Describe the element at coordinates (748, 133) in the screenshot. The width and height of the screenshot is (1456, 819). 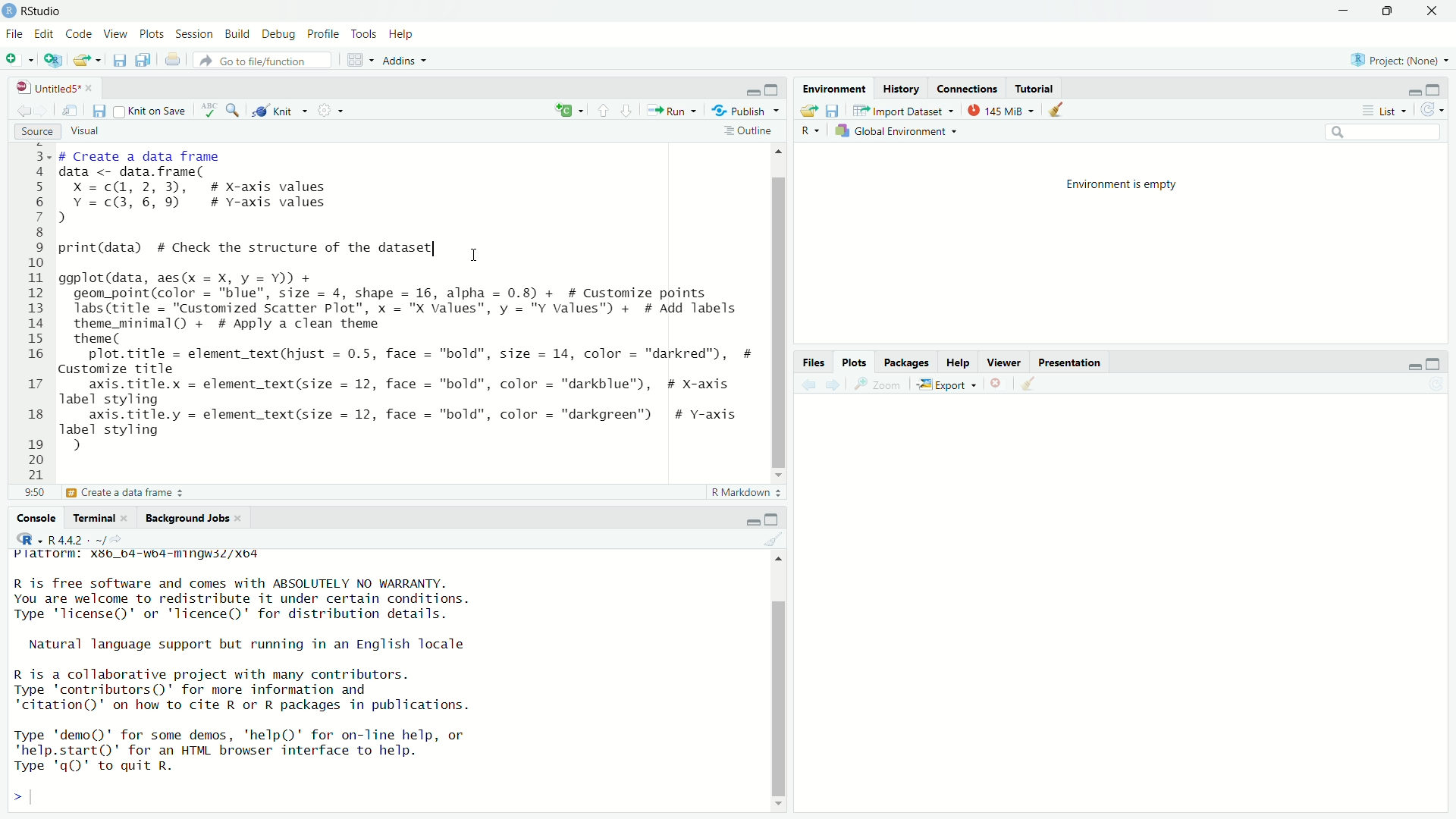
I see `Outline` at that location.